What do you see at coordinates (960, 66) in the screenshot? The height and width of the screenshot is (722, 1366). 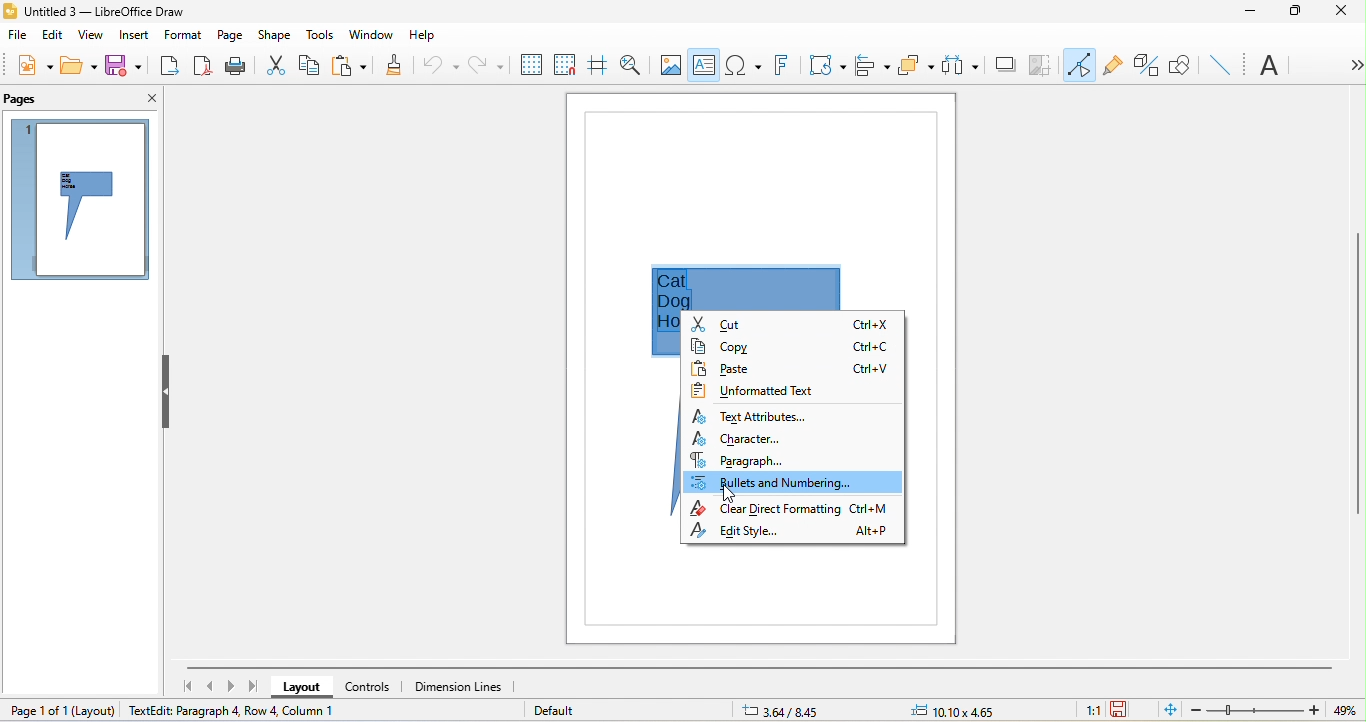 I see `select at least three object` at bounding box center [960, 66].